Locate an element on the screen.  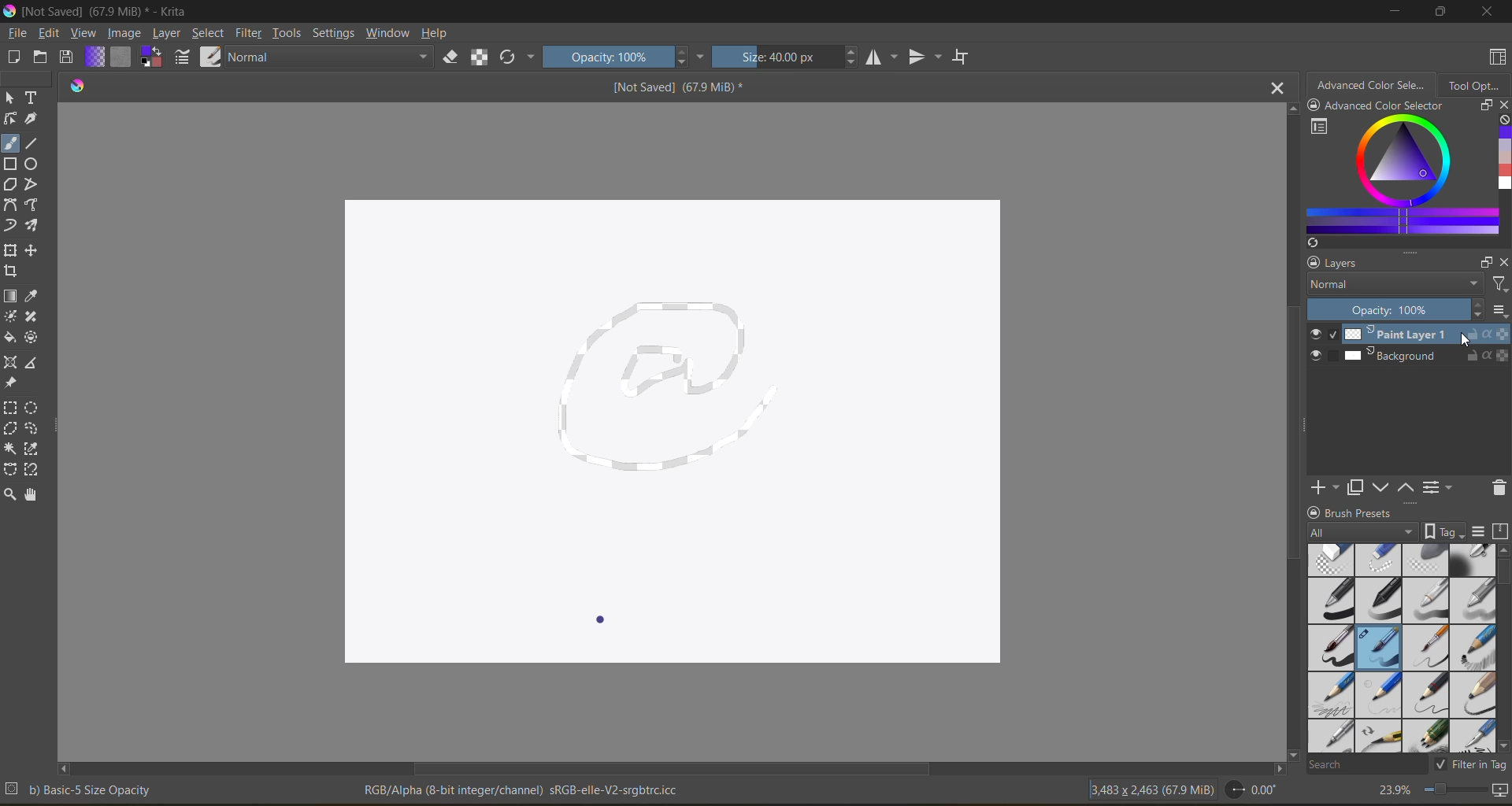
move a layer is located at coordinates (31, 250).